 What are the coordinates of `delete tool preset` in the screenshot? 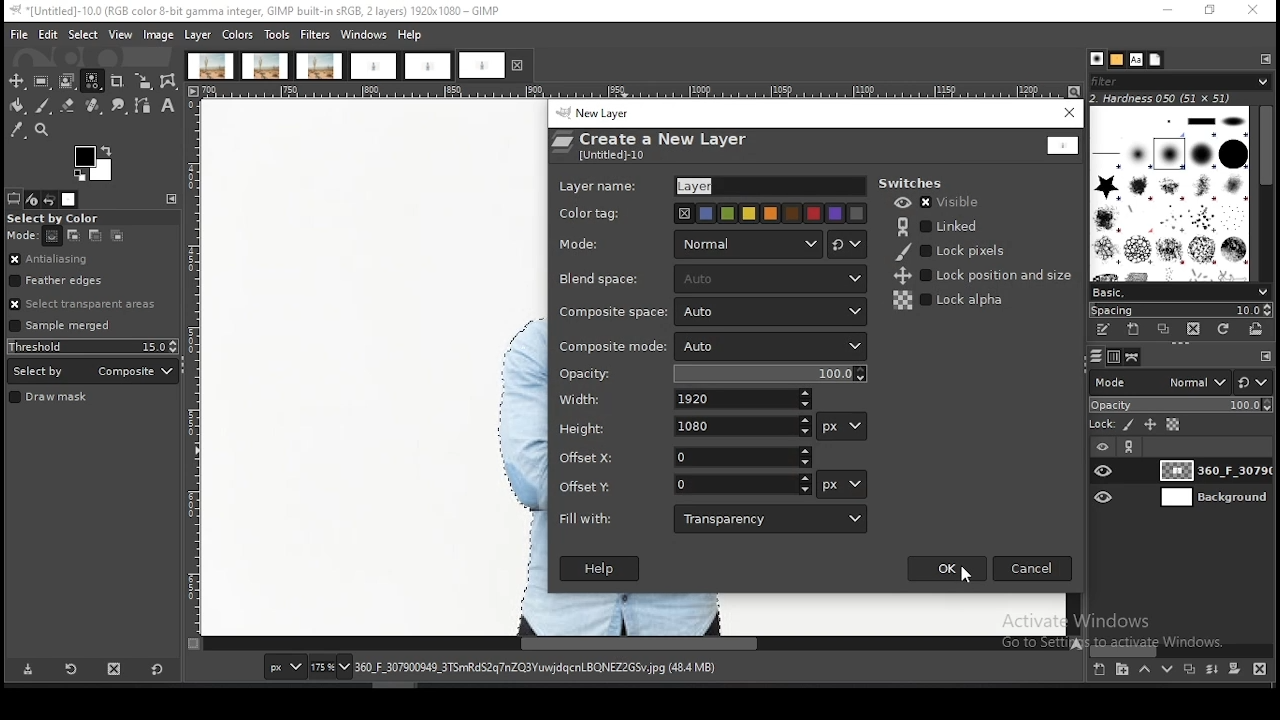 It's located at (116, 667).